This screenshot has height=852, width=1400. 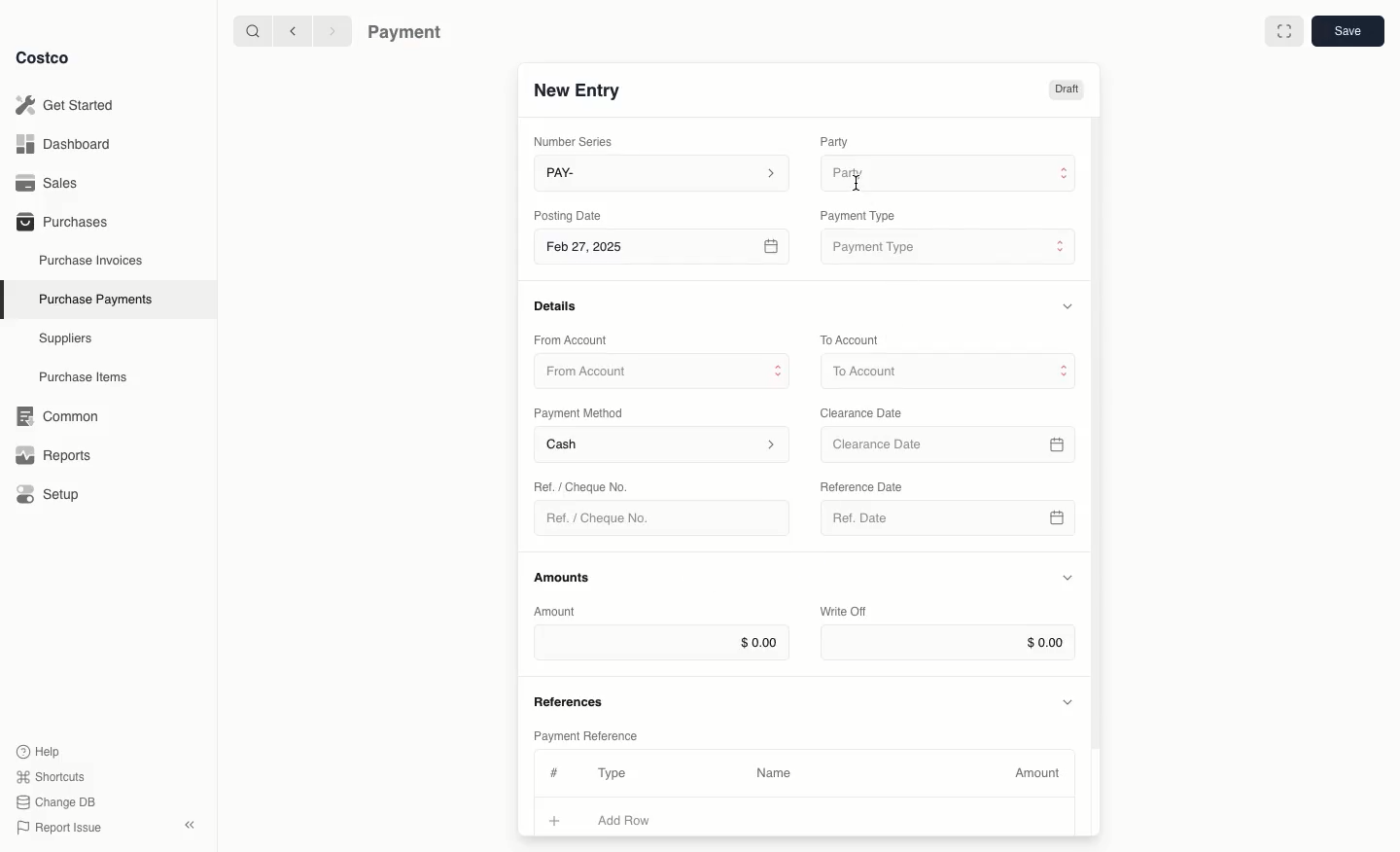 What do you see at coordinates (953, 170) in the screenshot?
I see `Party` at bounding box center [953, 170].